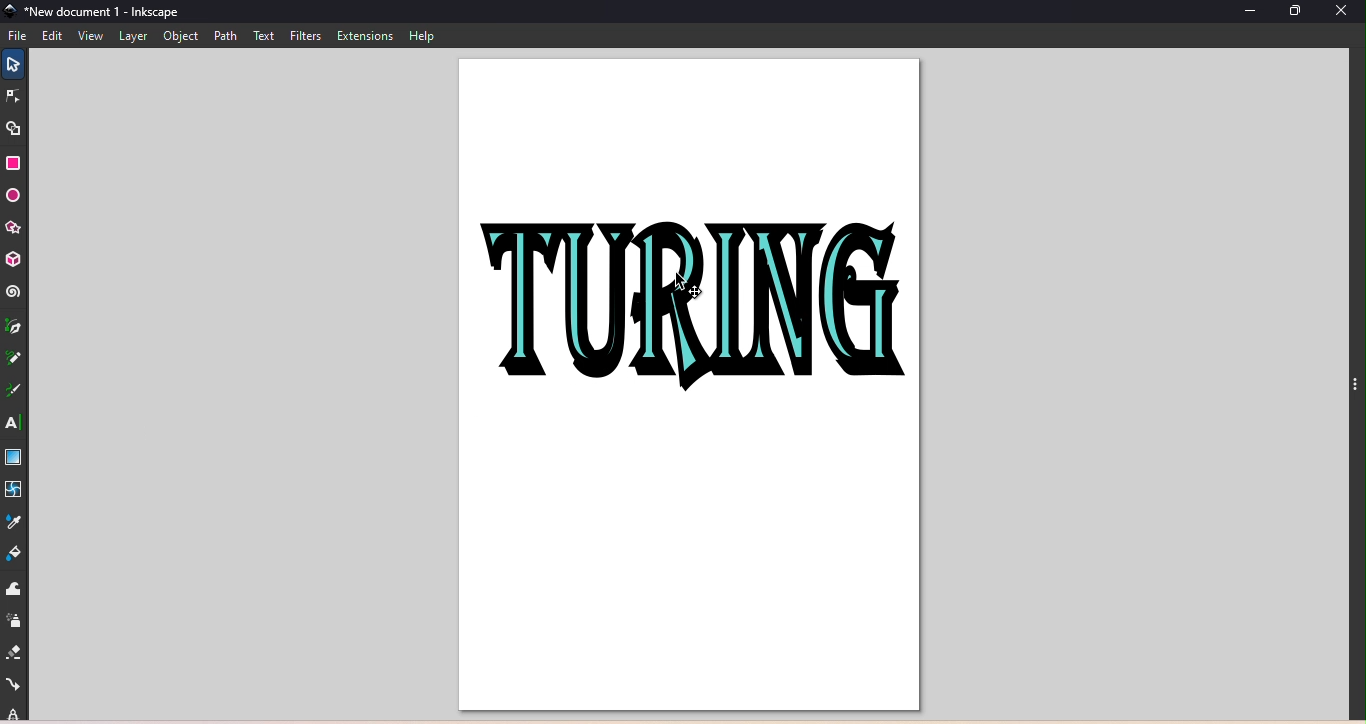 This screenshot has height=724, width=1366. What do you see at coordinates (11, 62) in the screenshot?
I see `Selector tool` at bounding box center [11, 62].